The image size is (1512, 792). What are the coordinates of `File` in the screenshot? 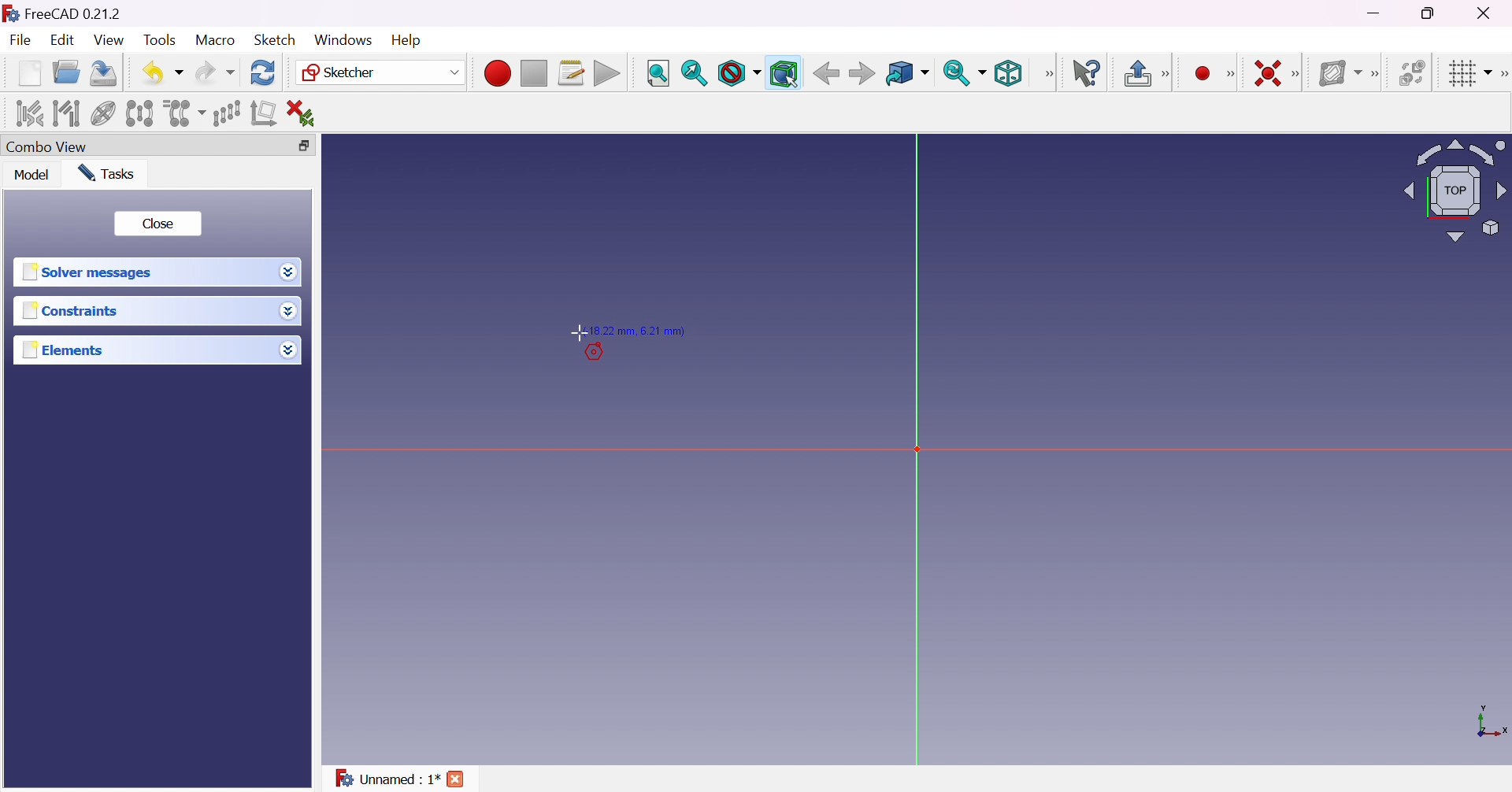 It's located at (20, 42).